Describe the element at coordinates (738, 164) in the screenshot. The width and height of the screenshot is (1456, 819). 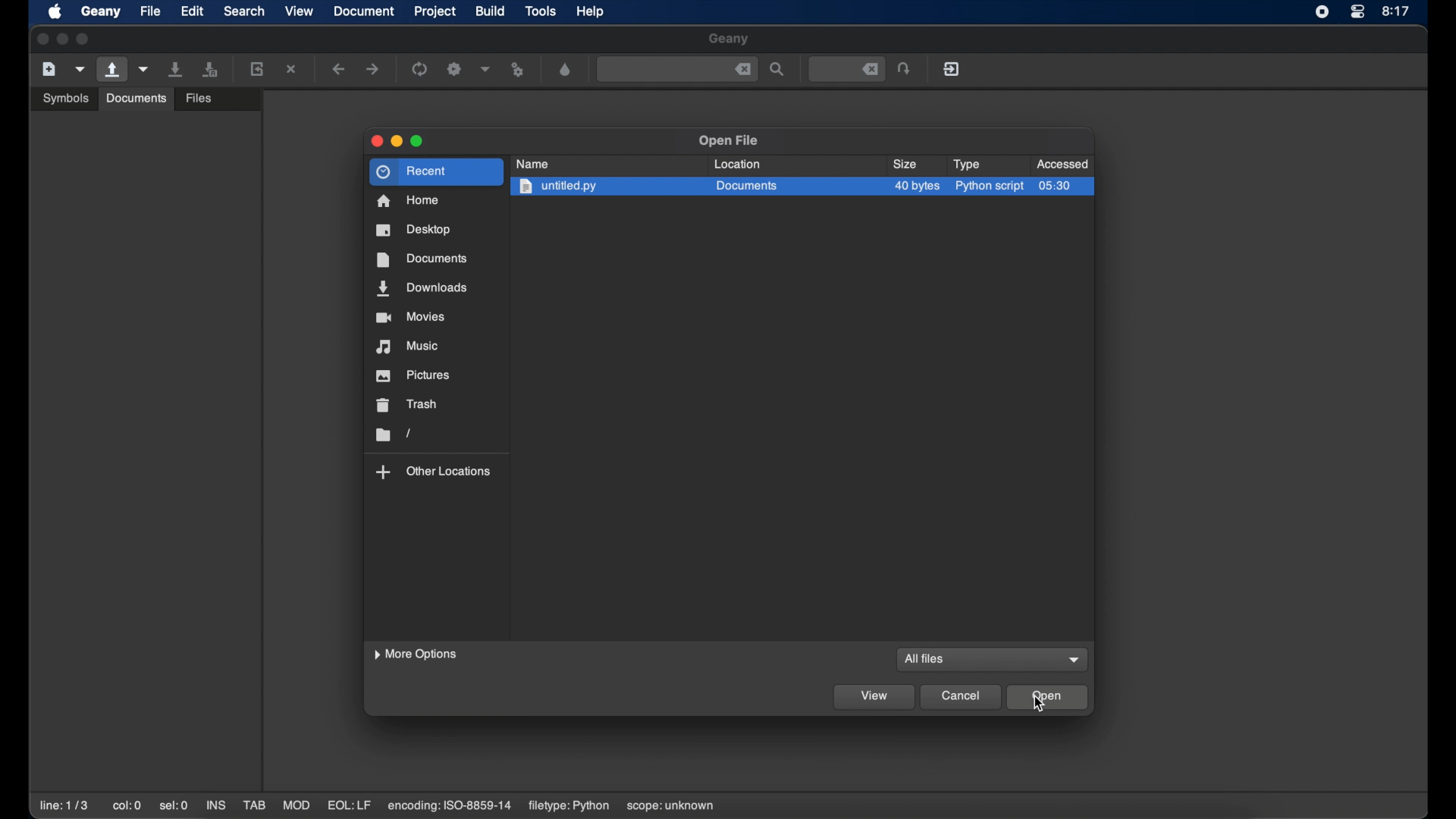
I see `location` at that location.